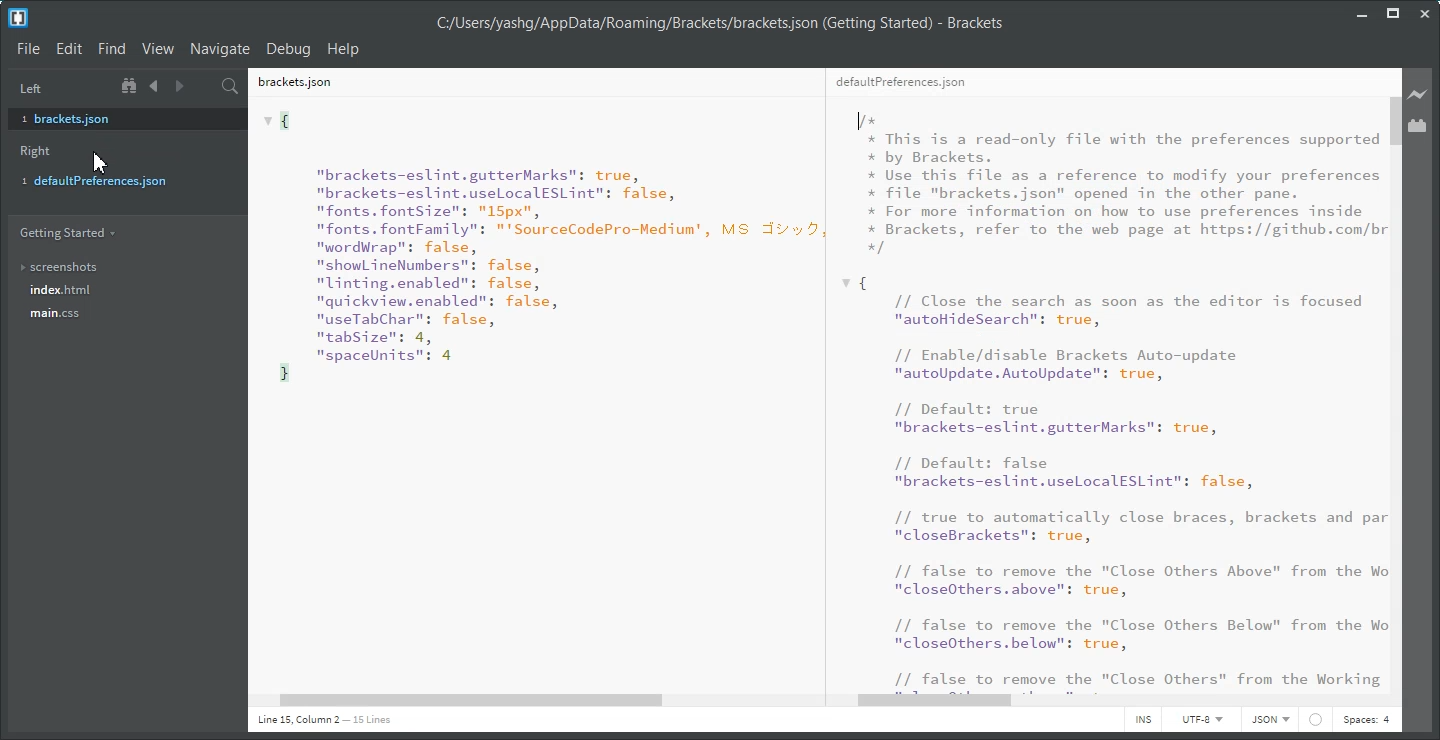  I want to click on Minimize, so click(1363, 12).